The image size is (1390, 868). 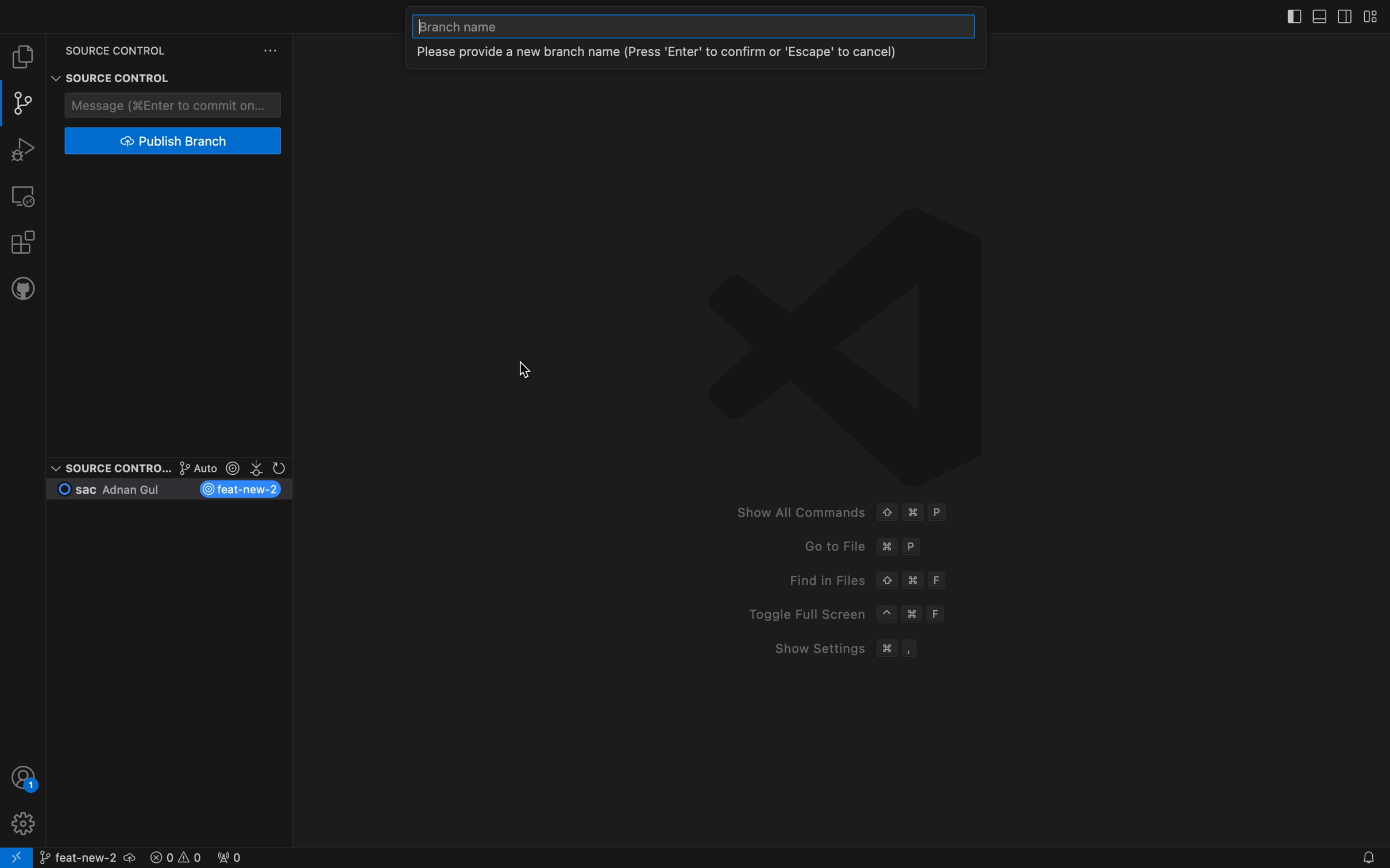 What do you see at coordinates (24, 195) in the screenshot?
I see `remote` at bounding box center [24, 195].